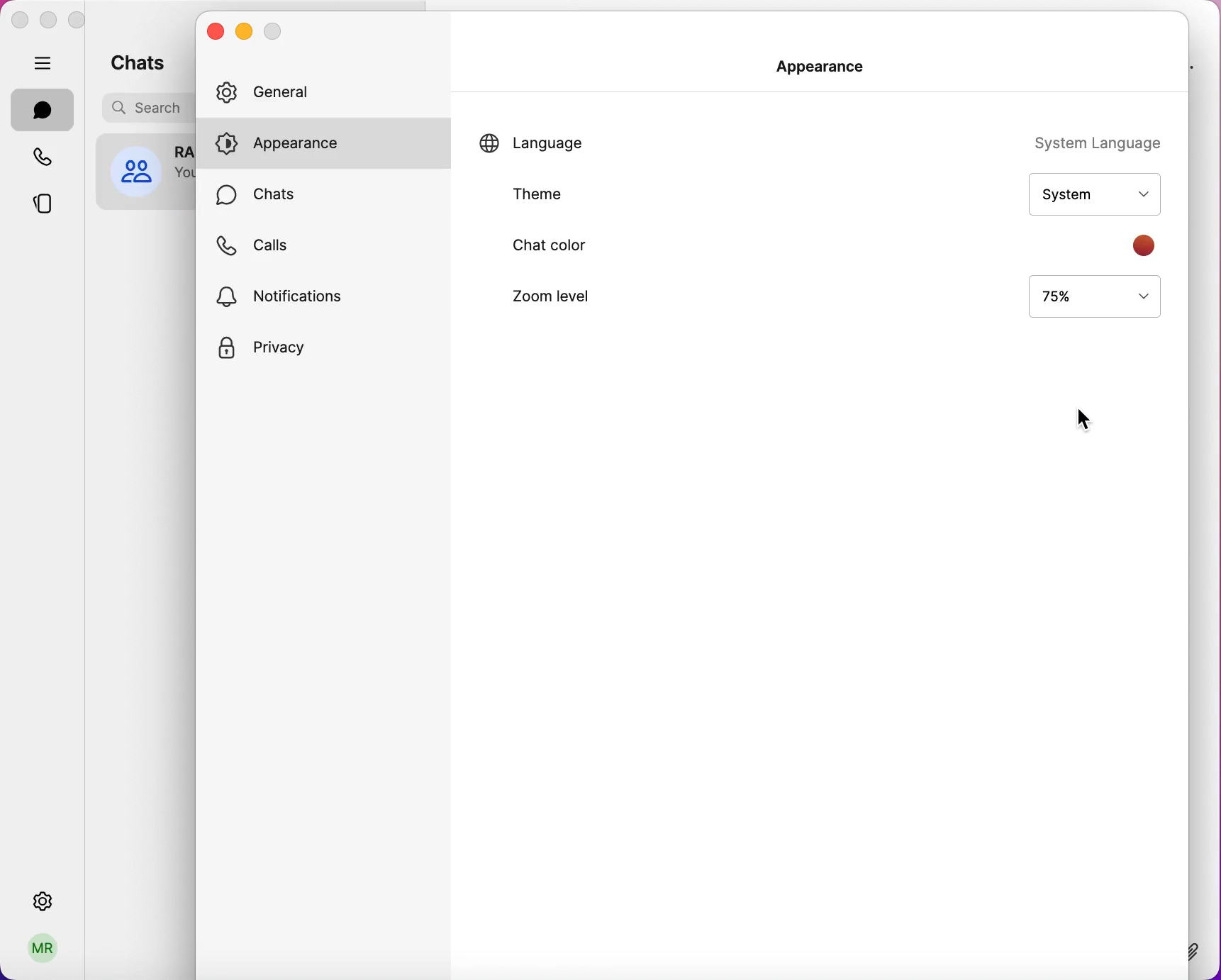 The width and height of the screenshot is (1221, 980). I want to click on maximize, so click(280, 30).